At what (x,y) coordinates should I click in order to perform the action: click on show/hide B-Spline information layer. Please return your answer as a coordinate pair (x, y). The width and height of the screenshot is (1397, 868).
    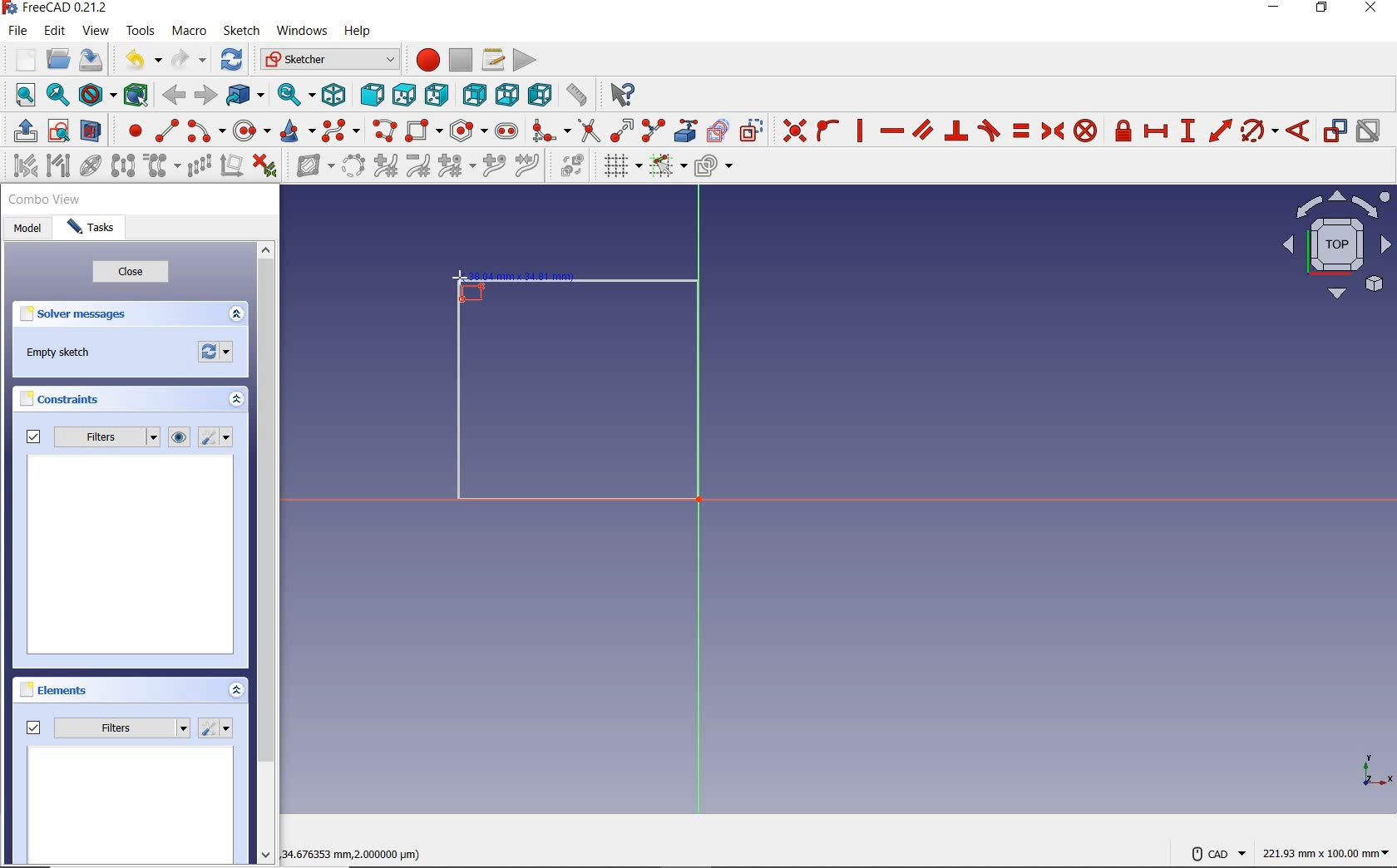
    Looking at the image, I should click on (309, 167).